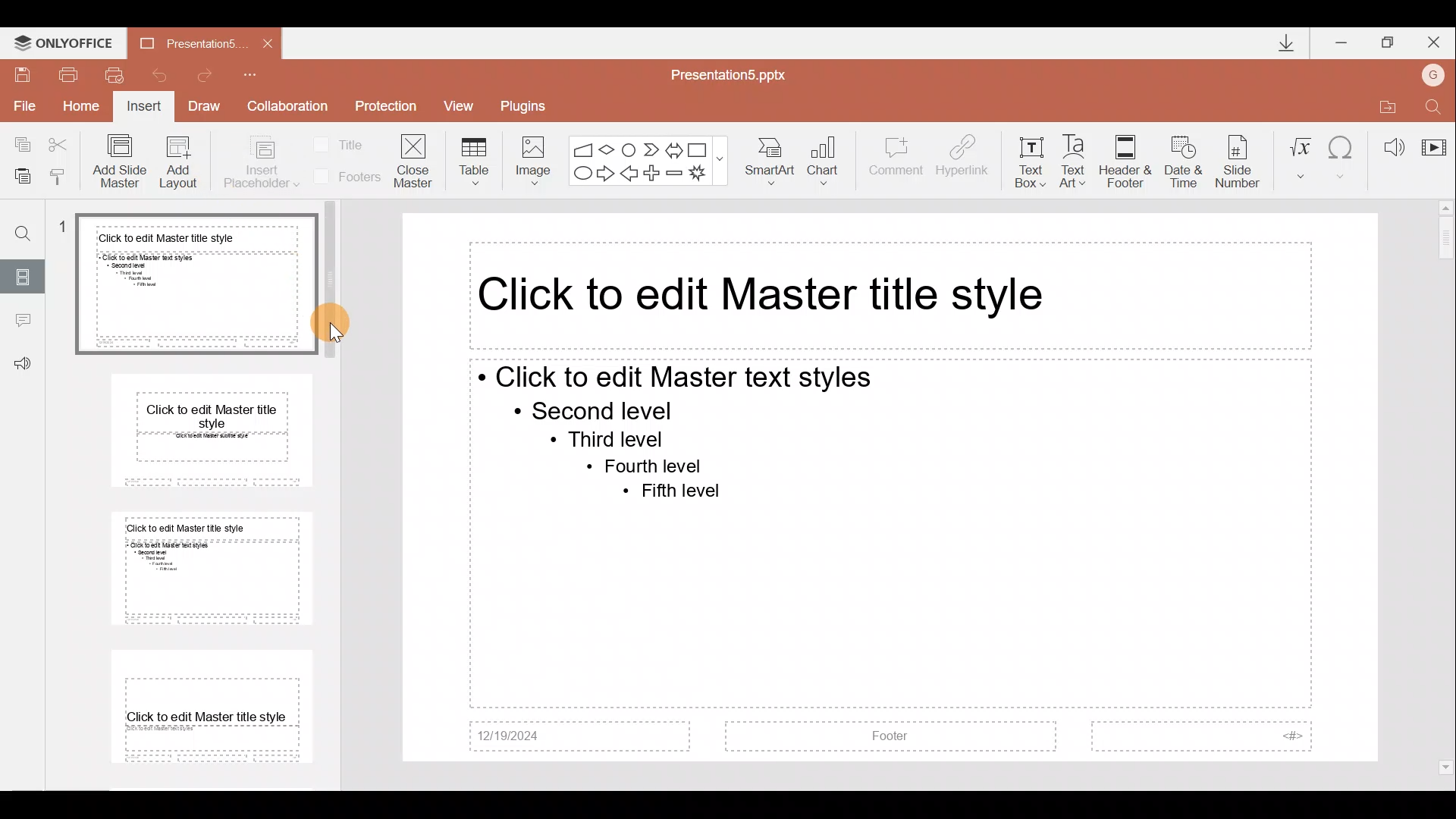 Image resolution: width=1456 pixels, height=819 pixels. Describe the element at coordinates (63, 39) in the screenshot. I see `ONLYOFFICE` at that location.